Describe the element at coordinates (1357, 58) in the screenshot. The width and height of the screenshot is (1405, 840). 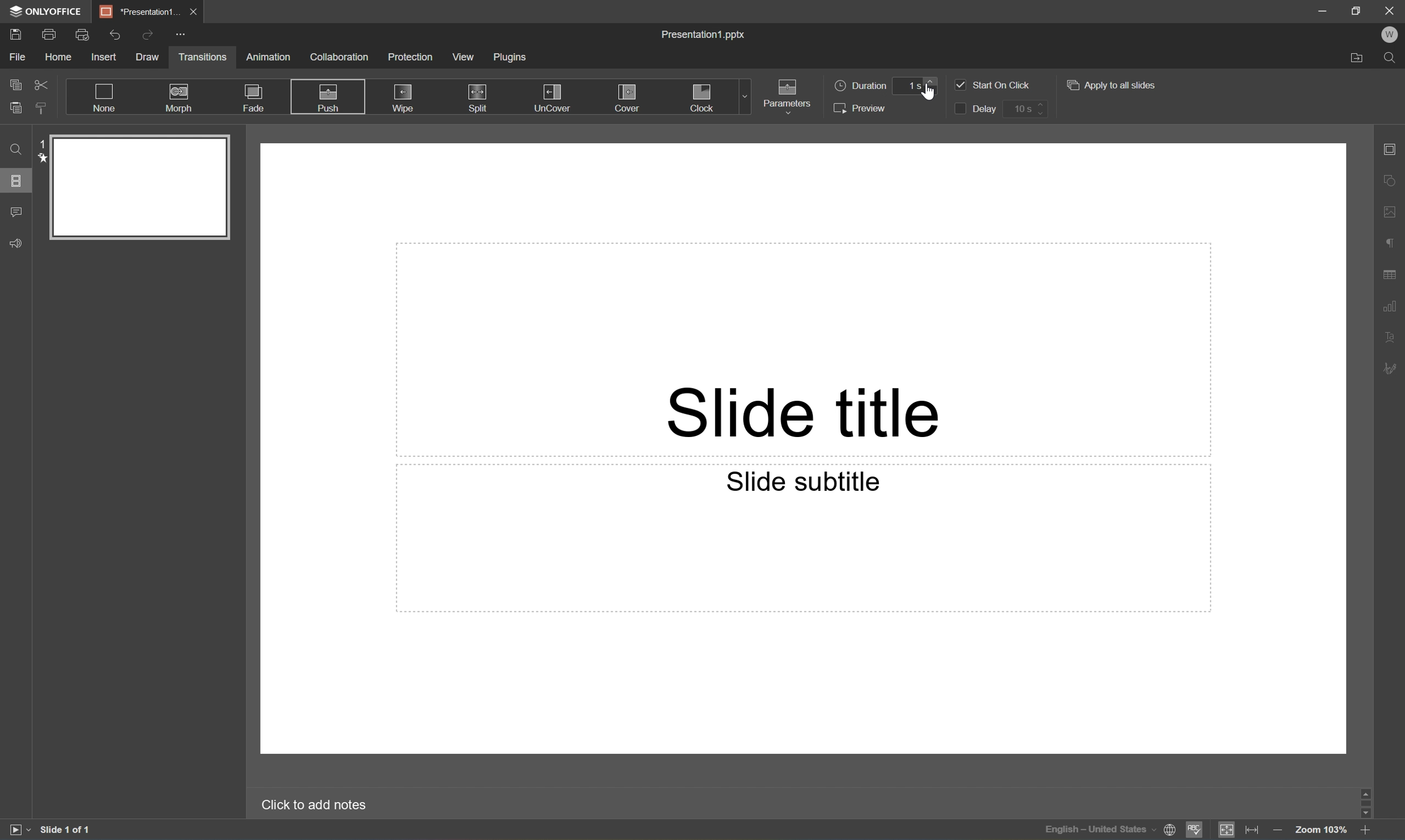
I see `Open file location` at that location.